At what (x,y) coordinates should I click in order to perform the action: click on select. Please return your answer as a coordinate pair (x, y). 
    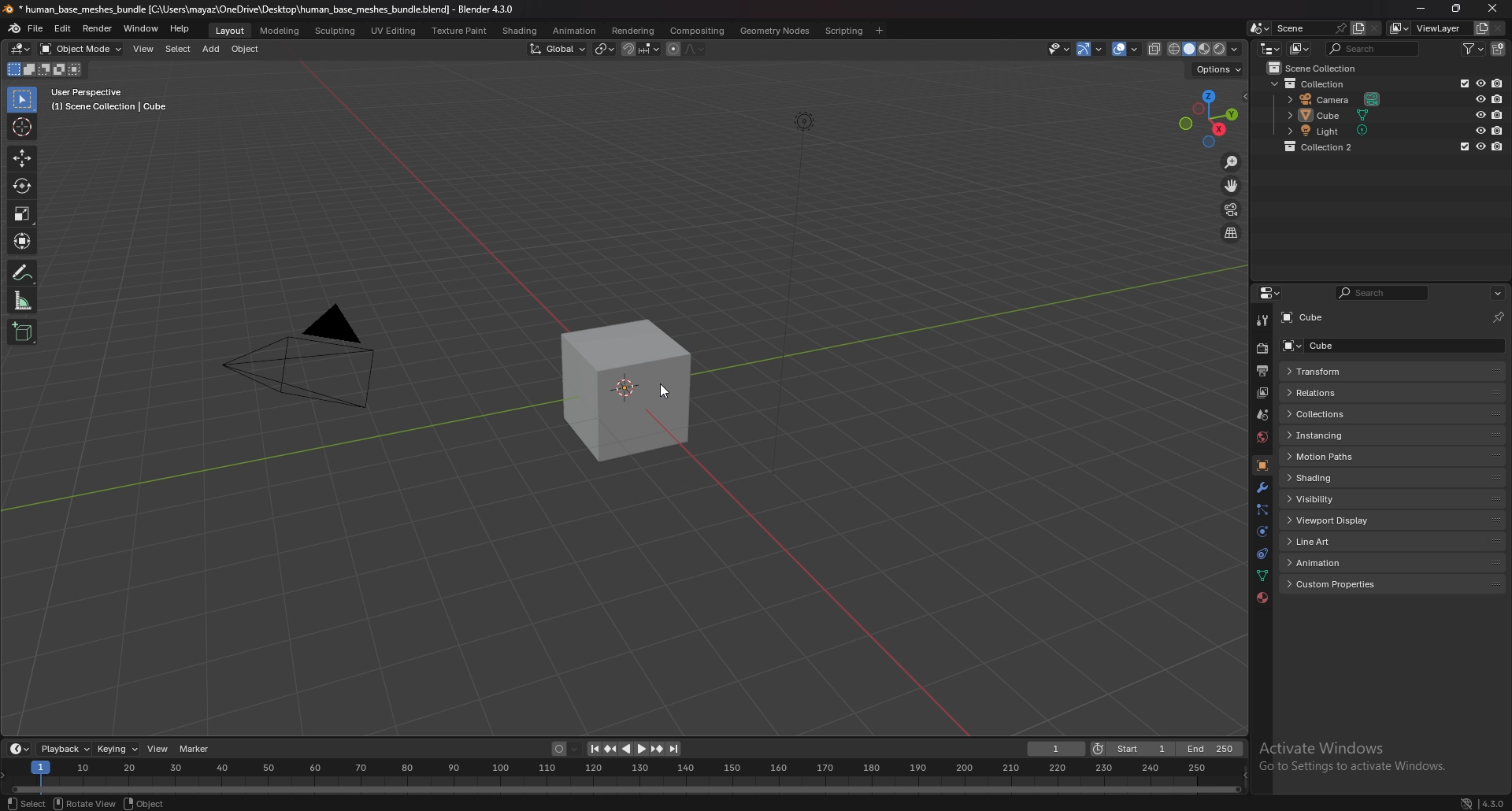
    Looking at the image, I should click on (178, 49).